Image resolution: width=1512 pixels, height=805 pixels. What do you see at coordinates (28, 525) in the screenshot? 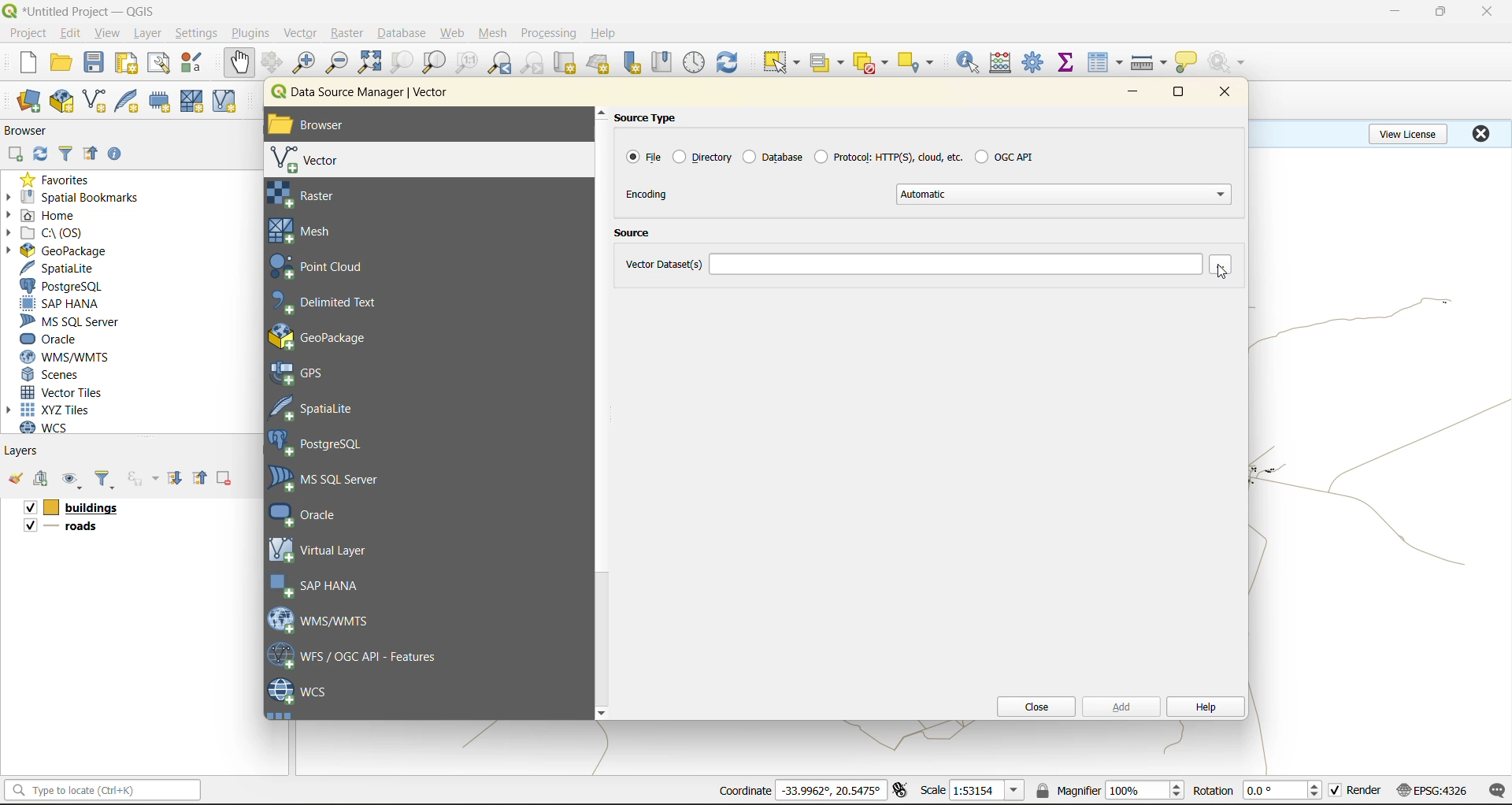
I see `checkbox` at bounding box center [28, 525].